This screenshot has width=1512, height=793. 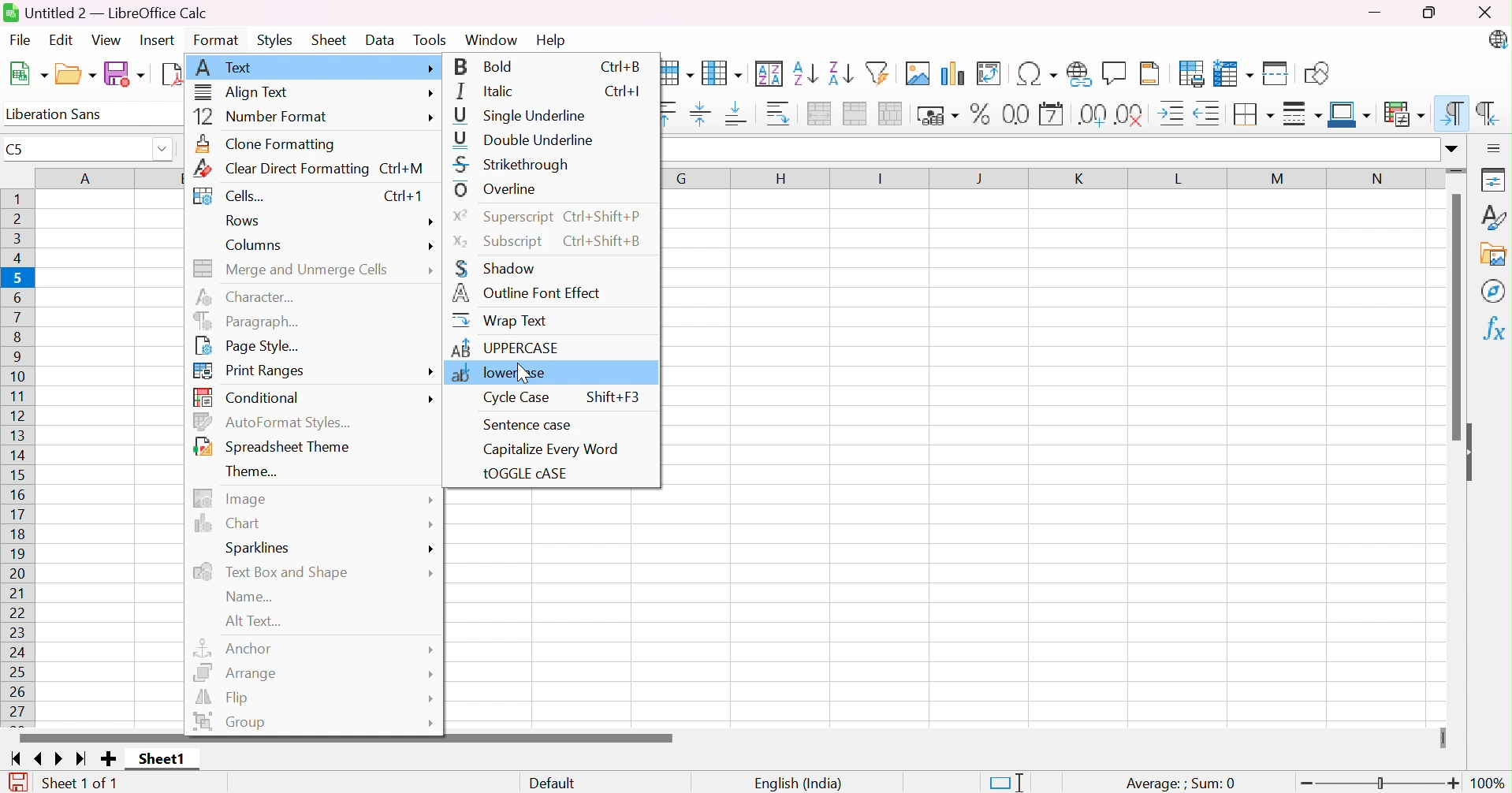 I want to click on Arrange, so click(x=236, y=670).